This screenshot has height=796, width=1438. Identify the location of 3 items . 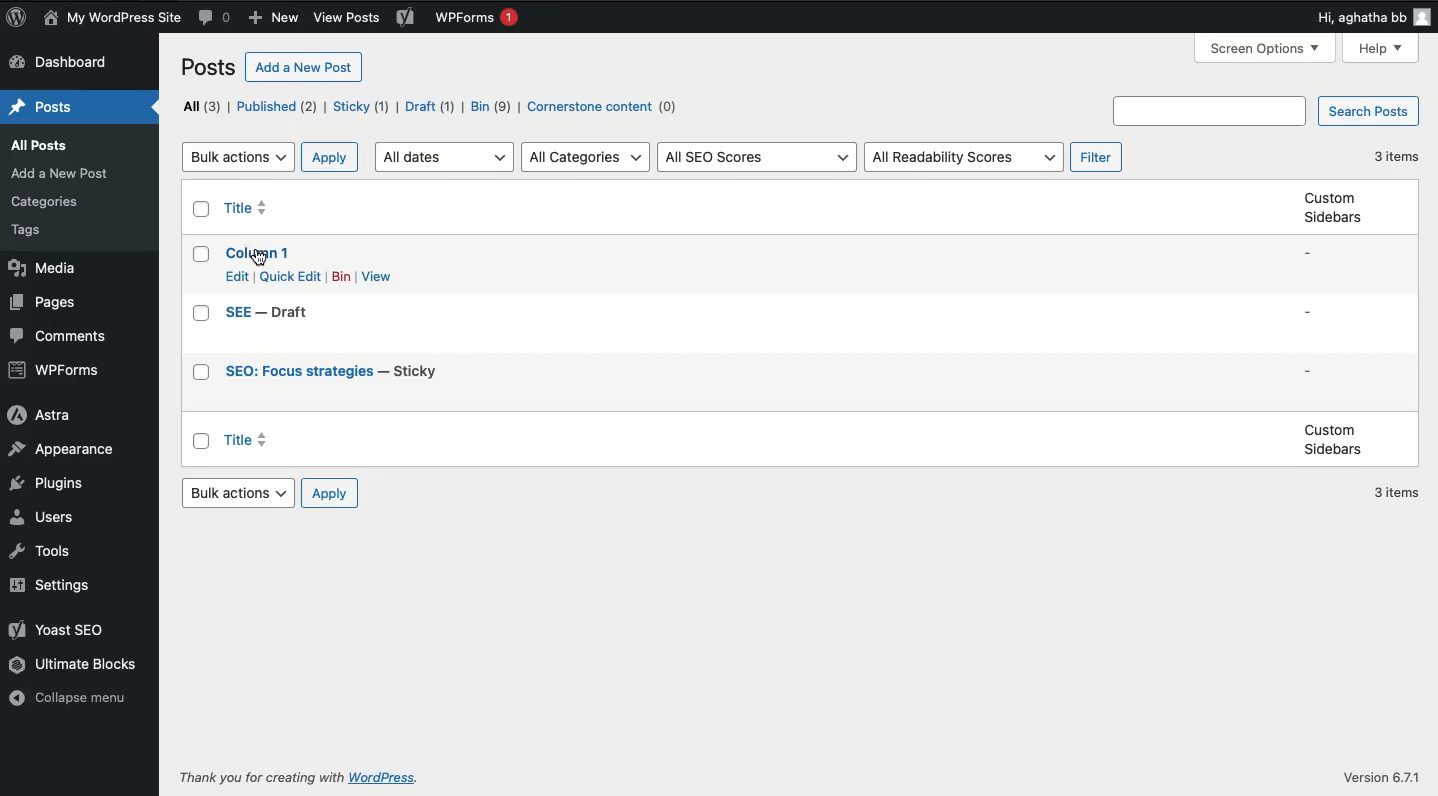
(1397, 156).